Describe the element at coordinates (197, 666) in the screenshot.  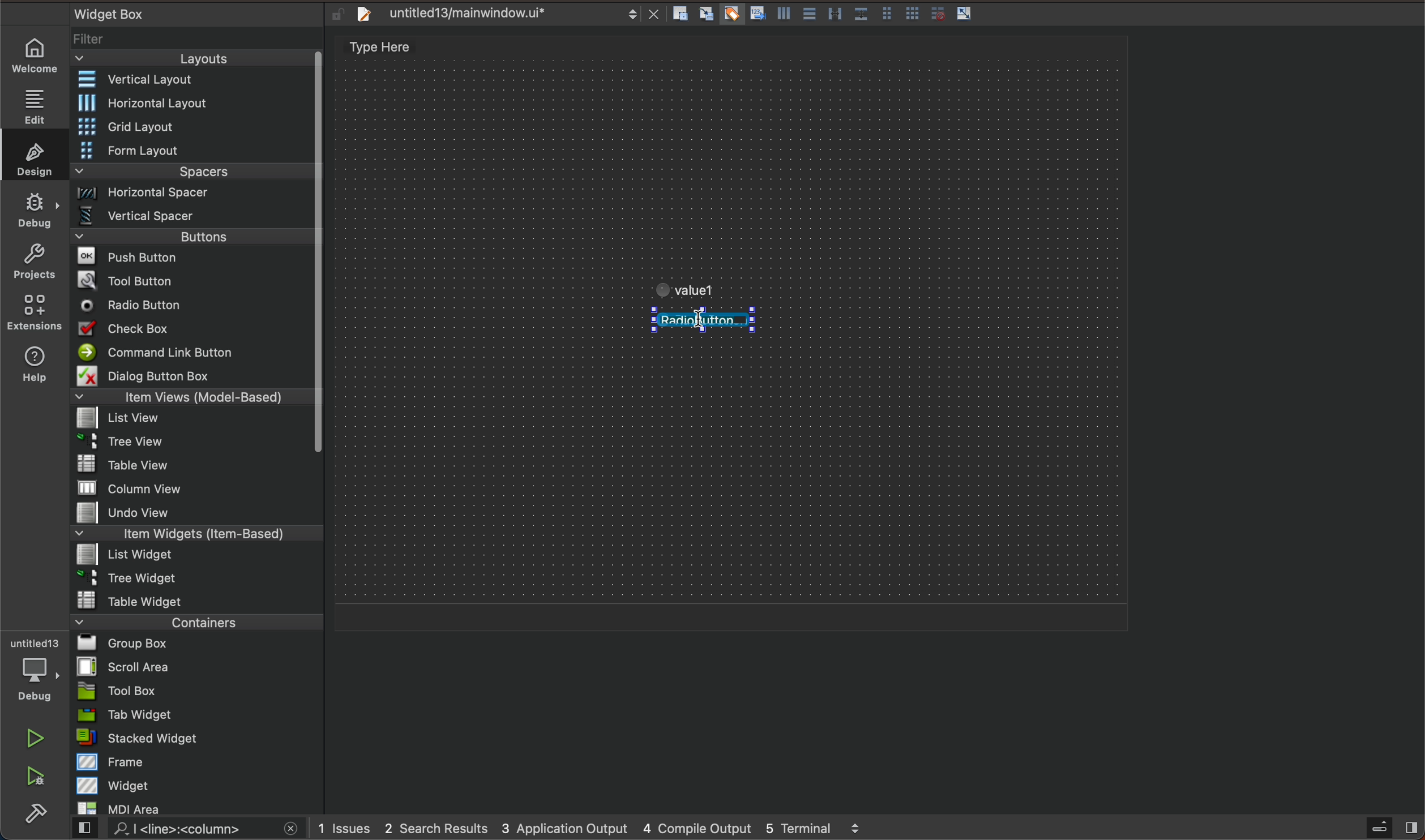
I see `scroll area` at that location.